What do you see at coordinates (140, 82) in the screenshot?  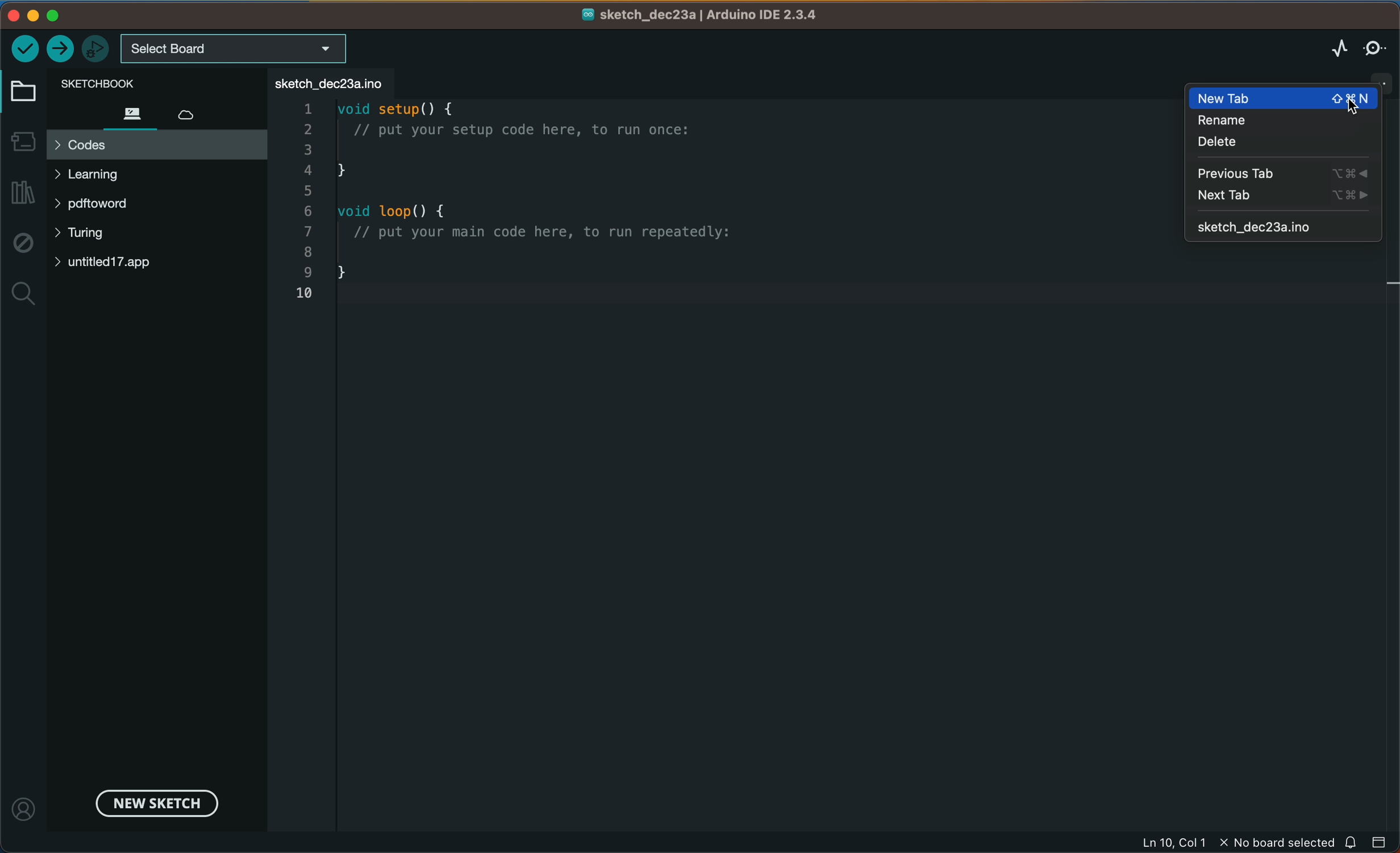 I see `sketchbook` at bounding box center [140, 82].